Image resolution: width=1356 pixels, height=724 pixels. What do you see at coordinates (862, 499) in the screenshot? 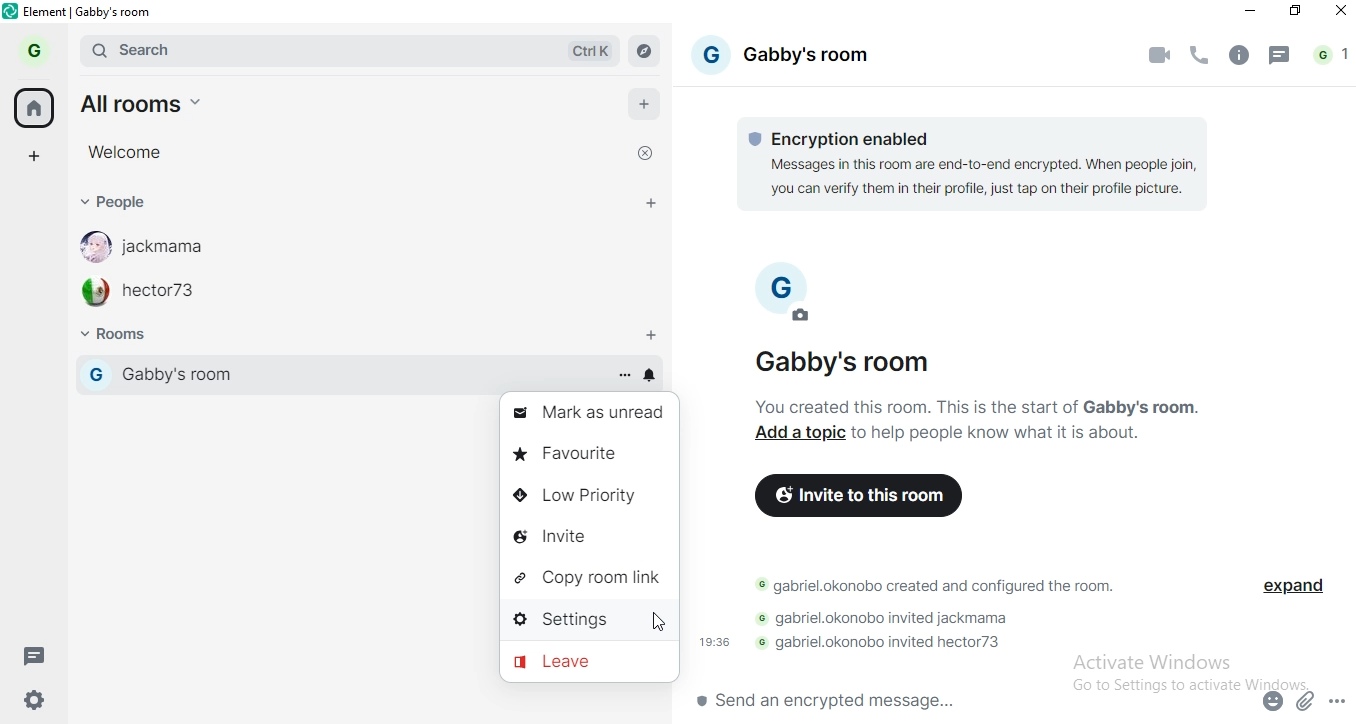
I see `invite to this room` at bounding box center [862, 499].